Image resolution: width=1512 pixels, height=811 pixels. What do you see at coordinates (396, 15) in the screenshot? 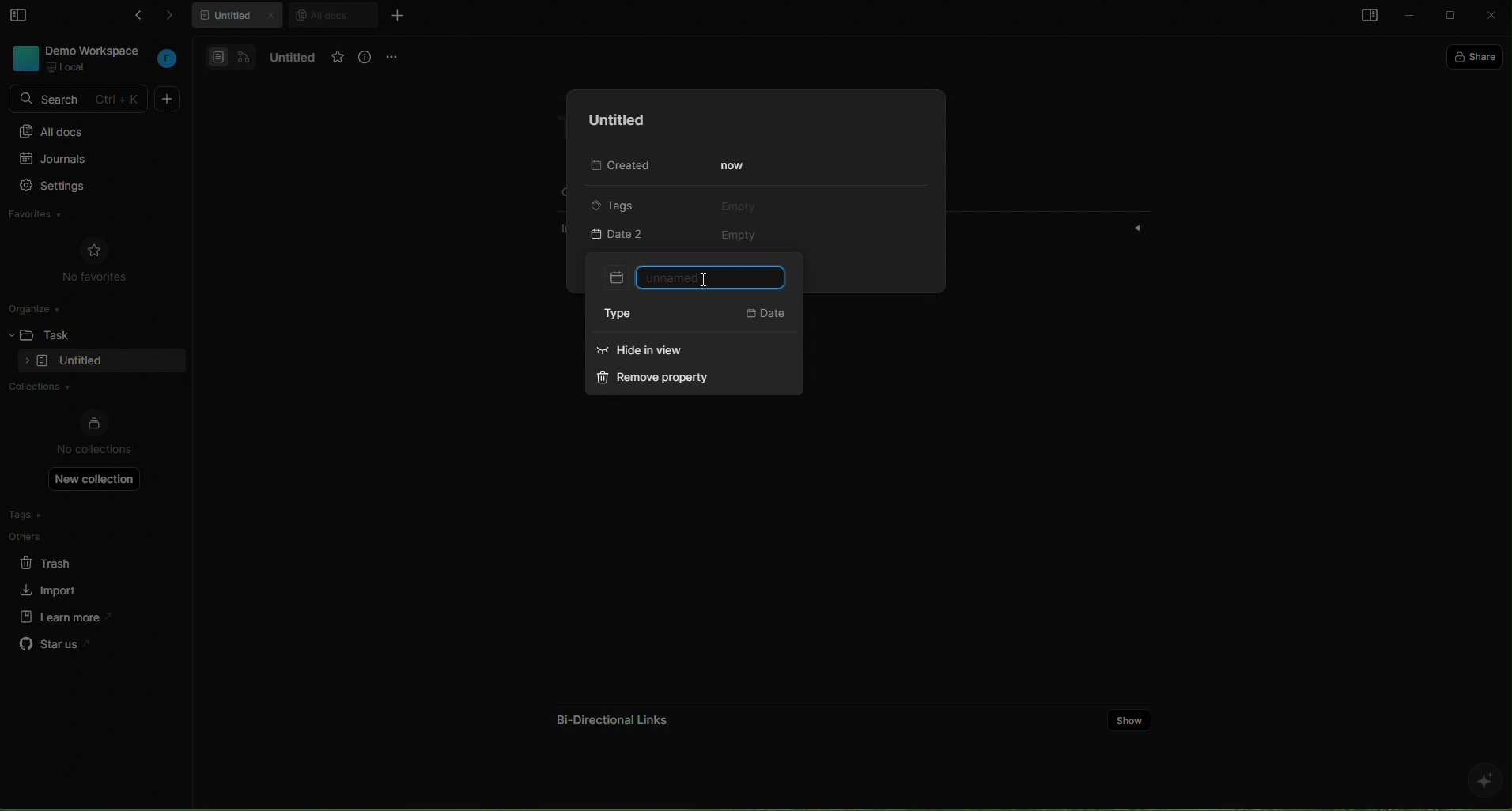
I see `new tab` at bounding box center [396, 15].